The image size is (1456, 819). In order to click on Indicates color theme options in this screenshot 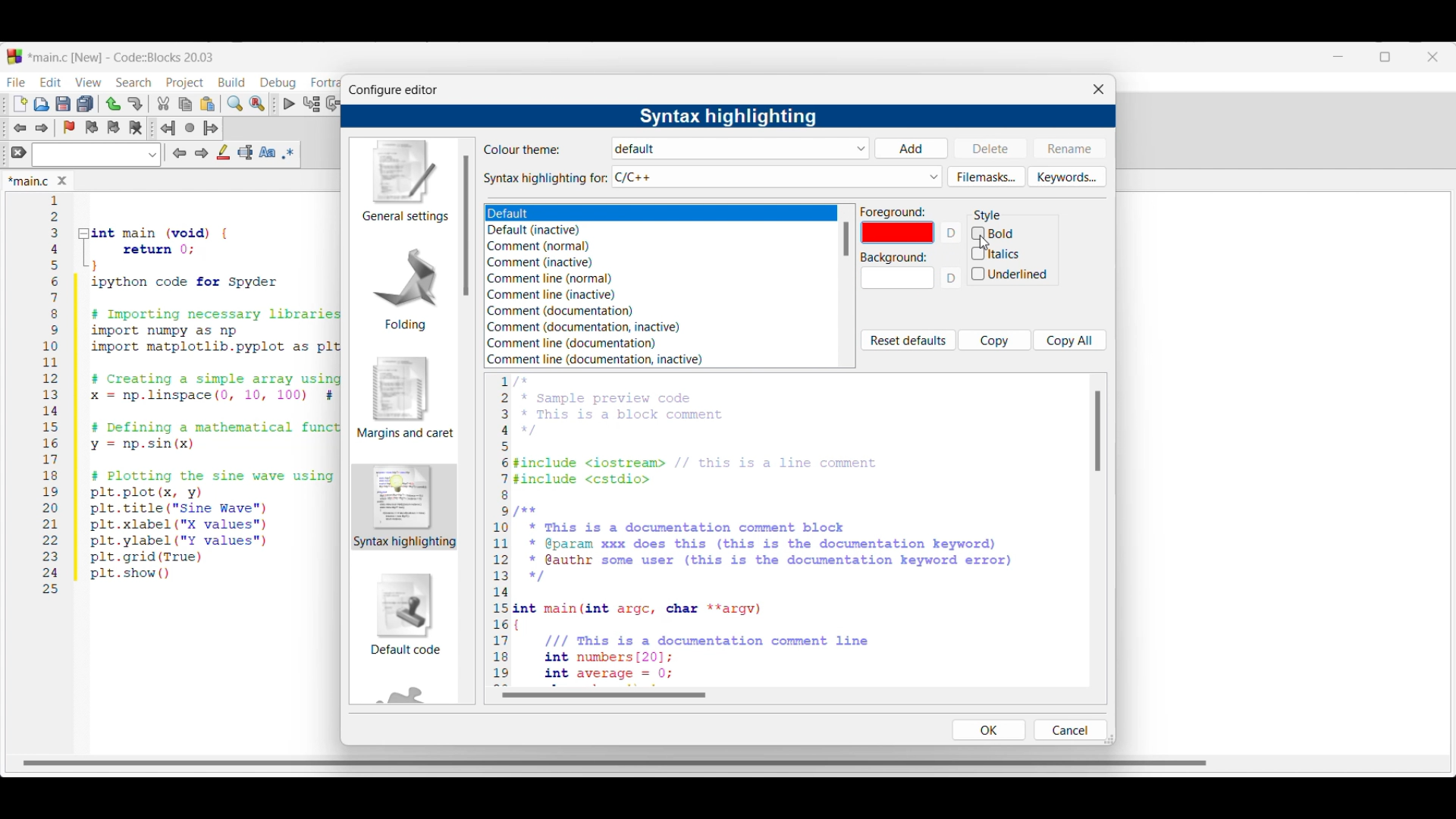, I will do `click(523, 149)`.